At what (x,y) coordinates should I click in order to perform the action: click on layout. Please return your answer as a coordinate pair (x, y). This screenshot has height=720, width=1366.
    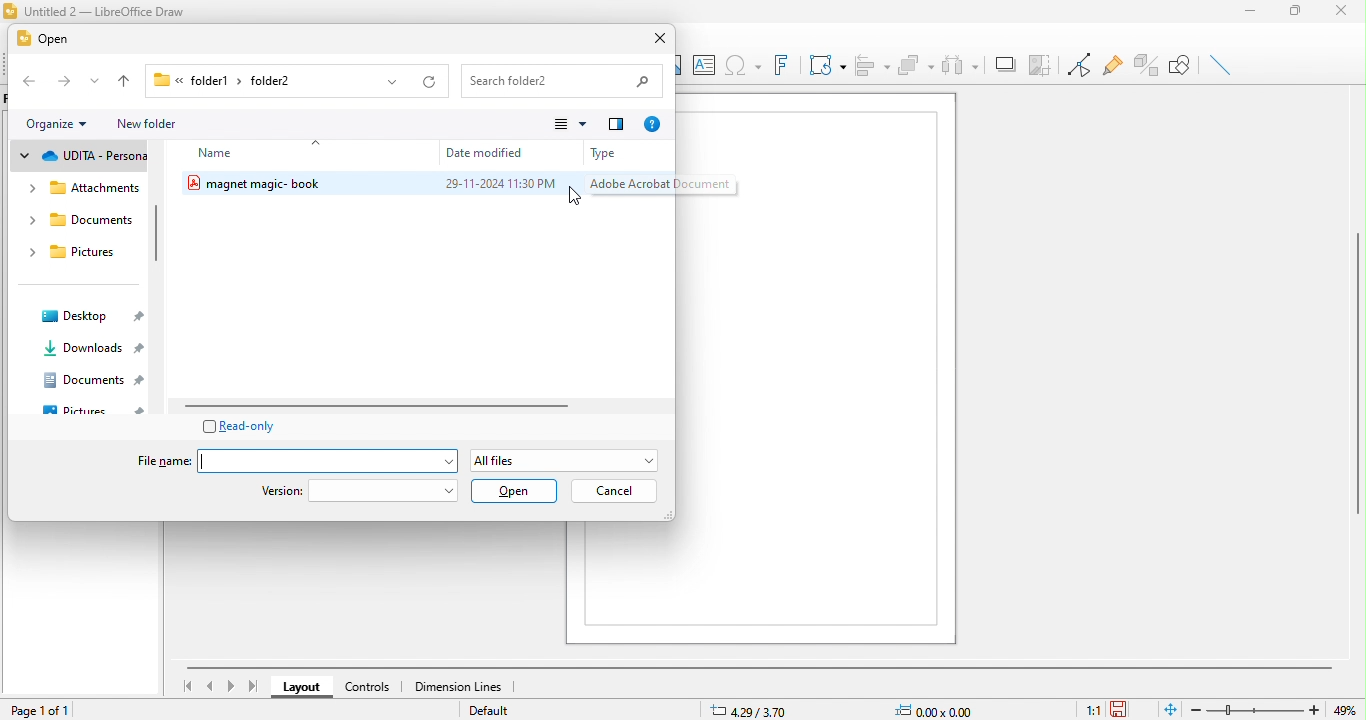
    Looking at the image, I should click on (302, 686).